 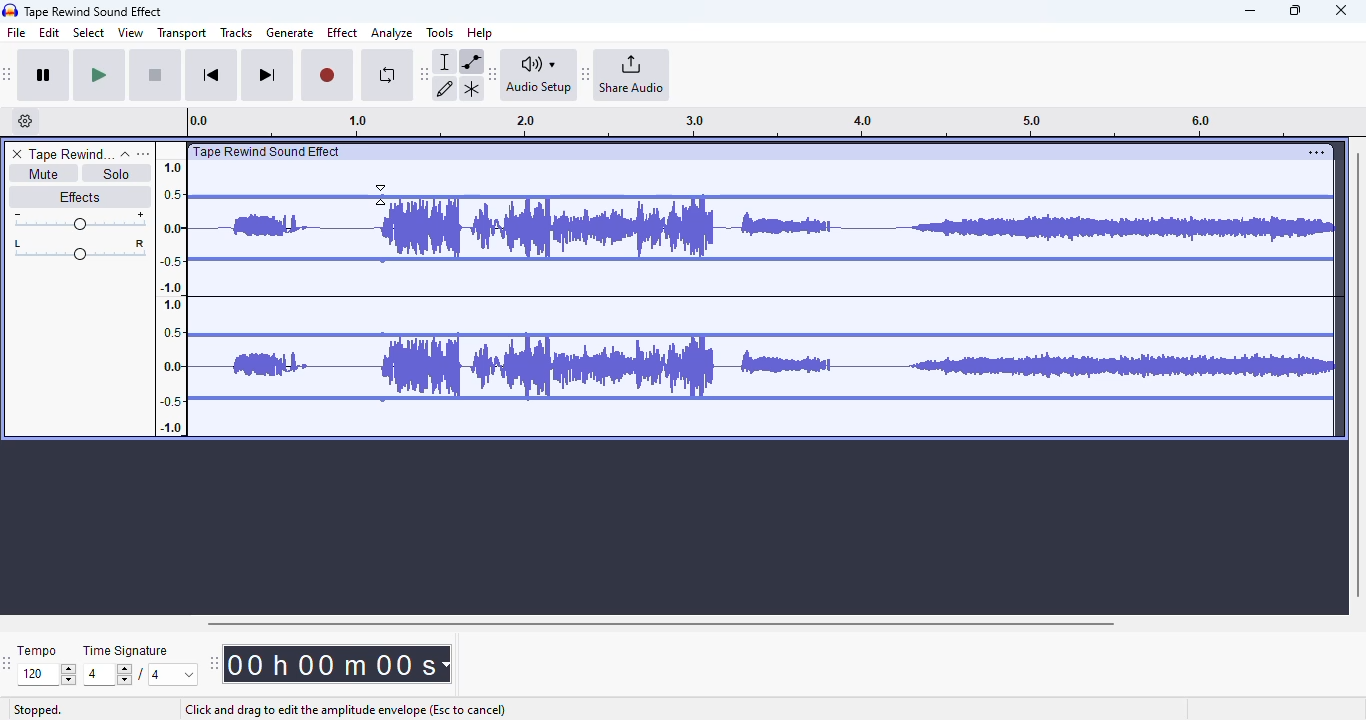 What do you see at coordinates (266, 76) in the screenshot?
I see `skip to end` at bounding box center [266, 76].